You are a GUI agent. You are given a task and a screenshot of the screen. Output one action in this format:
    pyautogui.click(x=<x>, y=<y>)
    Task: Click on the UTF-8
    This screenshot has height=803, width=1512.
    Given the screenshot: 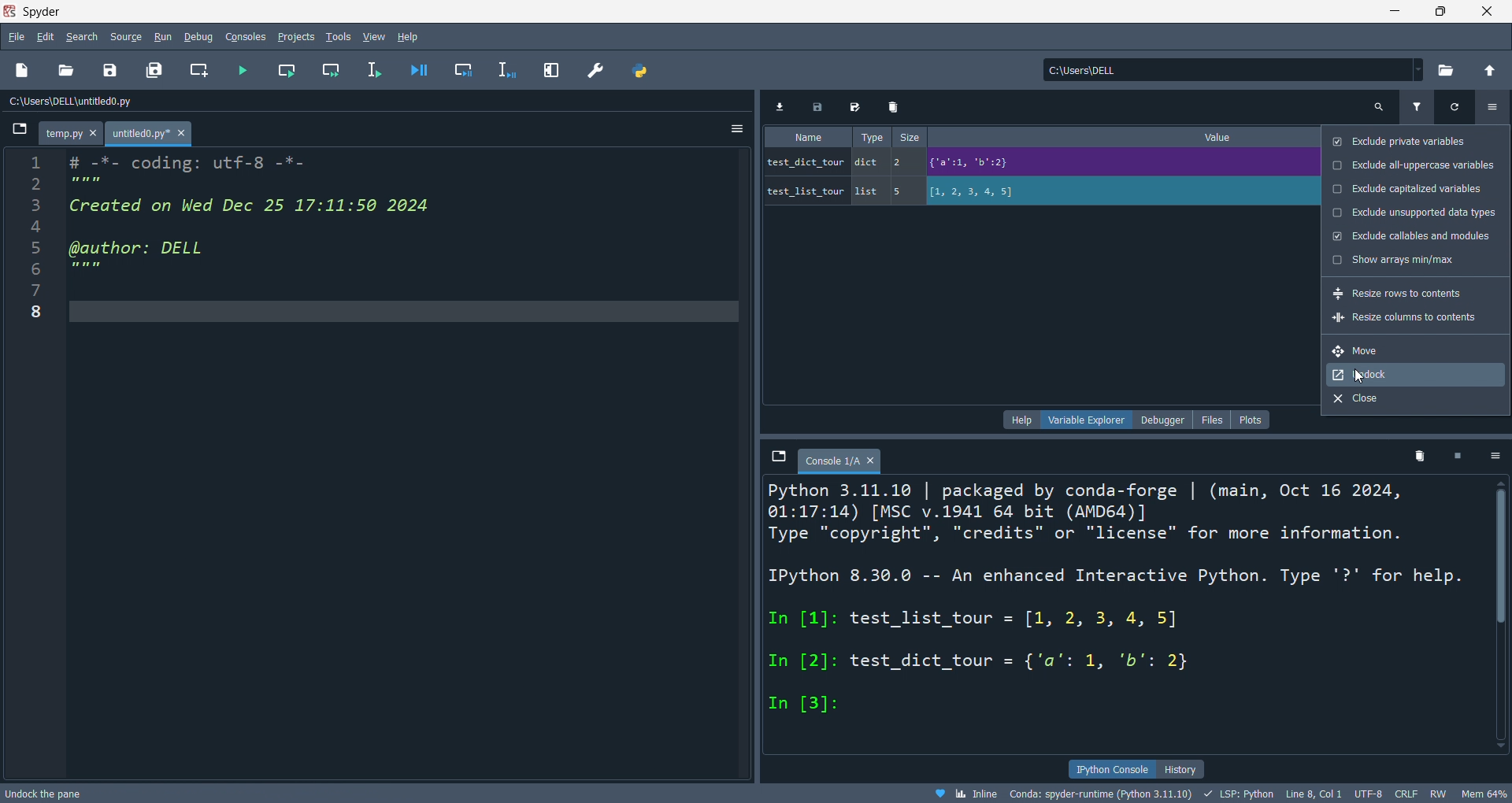 What is the action you would take?
    pyautogui.click(x=1369, y=793)
    